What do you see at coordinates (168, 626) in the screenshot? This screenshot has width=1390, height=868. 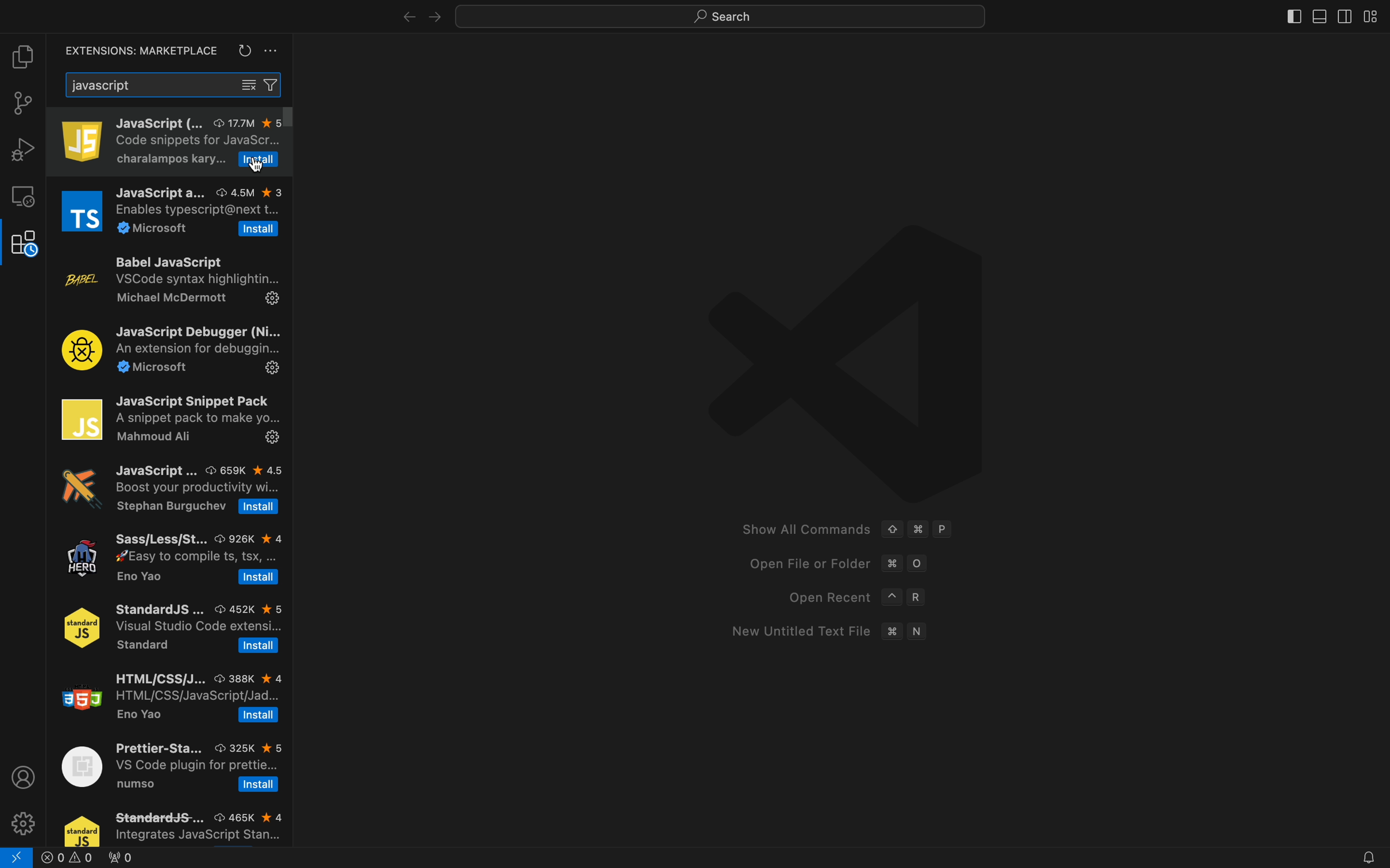 I see `StandardJS ... 452K % 5
Visual Studio Code extensi...
Standard [Install` at bounding box center [168, 626].